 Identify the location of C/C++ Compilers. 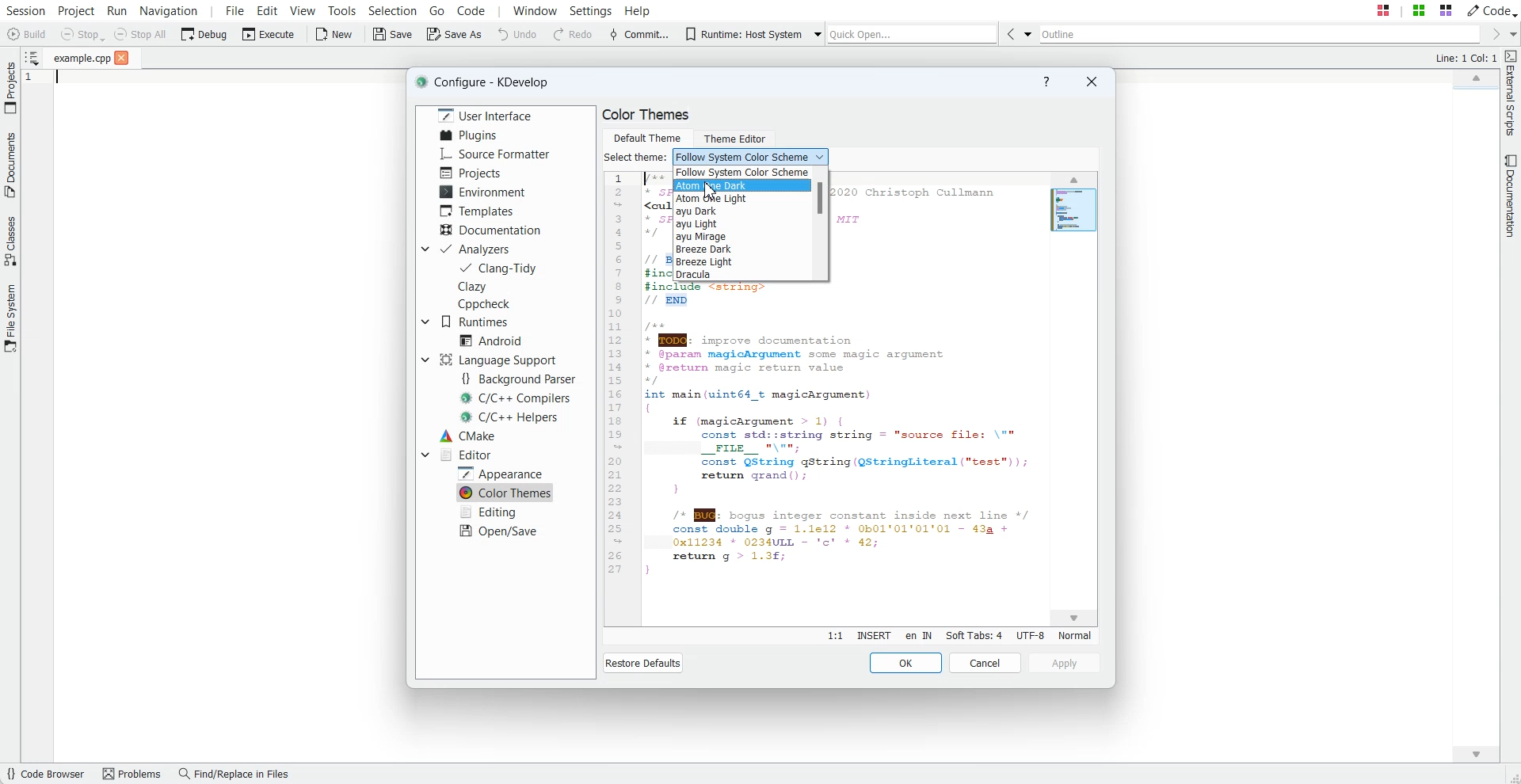
(517, 398).